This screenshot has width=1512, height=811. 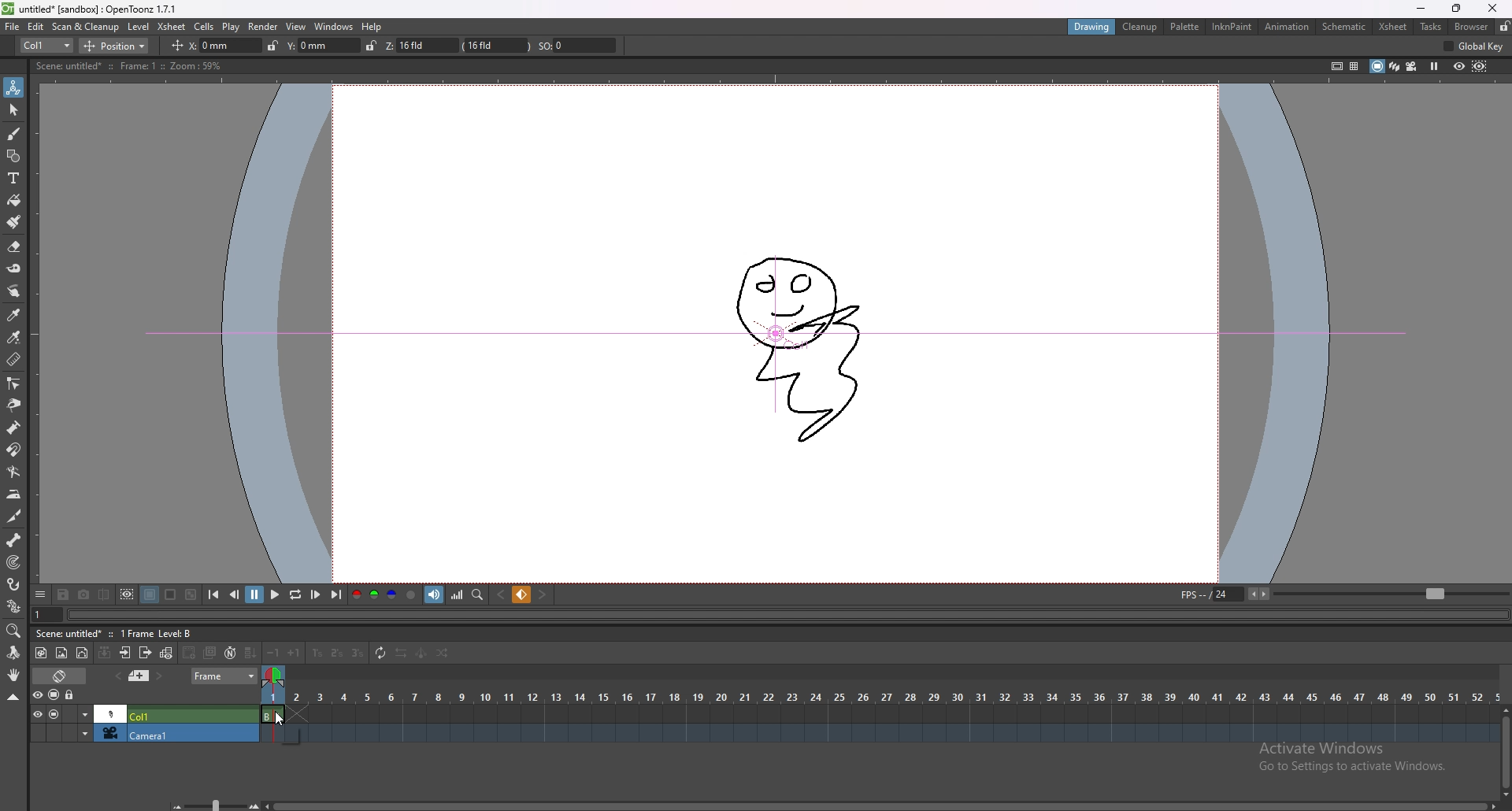 I want to click on control point editor, so click(x=13, y=383).